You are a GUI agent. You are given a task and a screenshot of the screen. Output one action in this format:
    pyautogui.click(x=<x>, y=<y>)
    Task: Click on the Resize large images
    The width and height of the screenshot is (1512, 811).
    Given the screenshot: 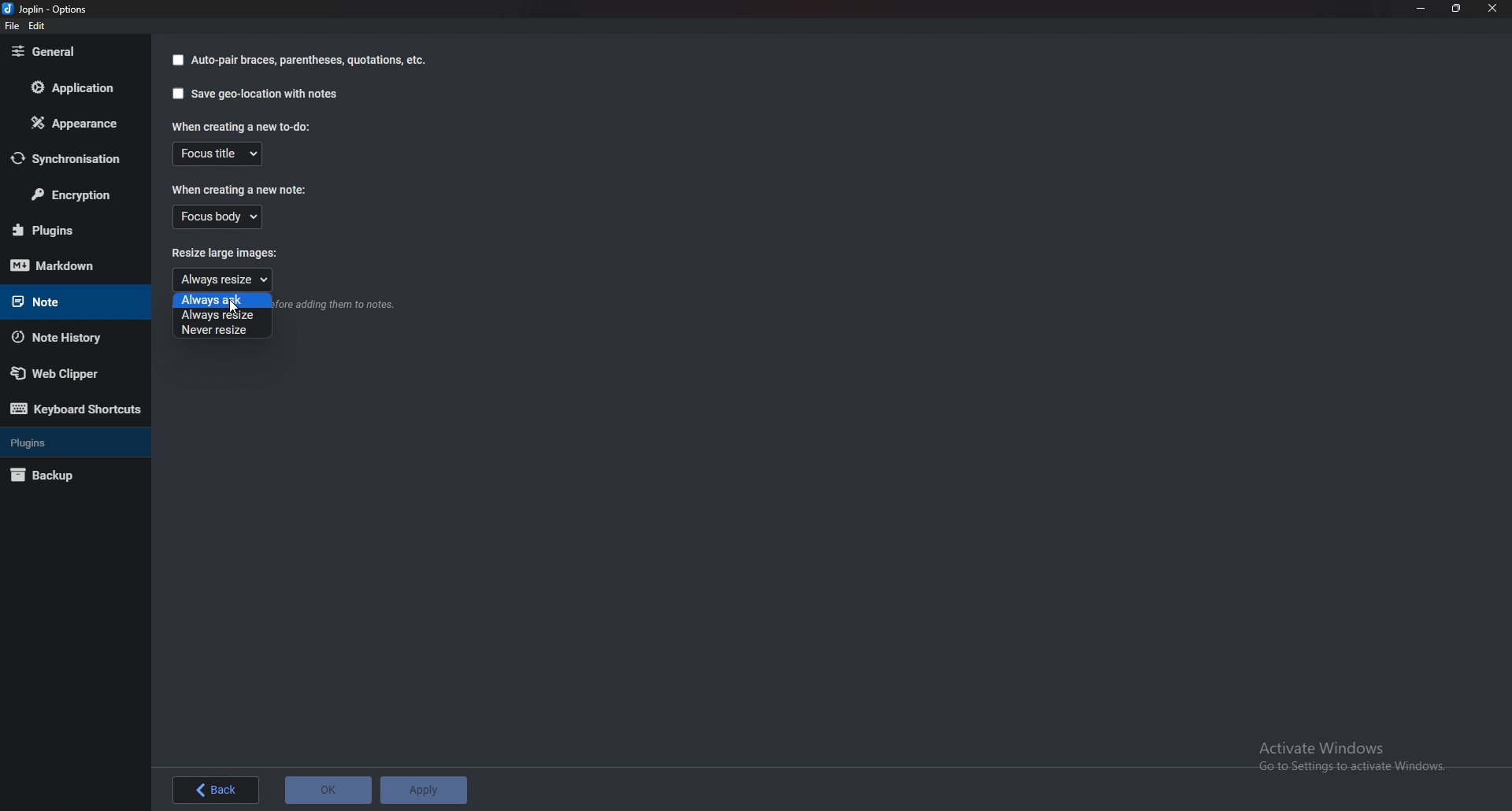 What is the action you would take?
    pyautogui.click(x=233, y=255)
    